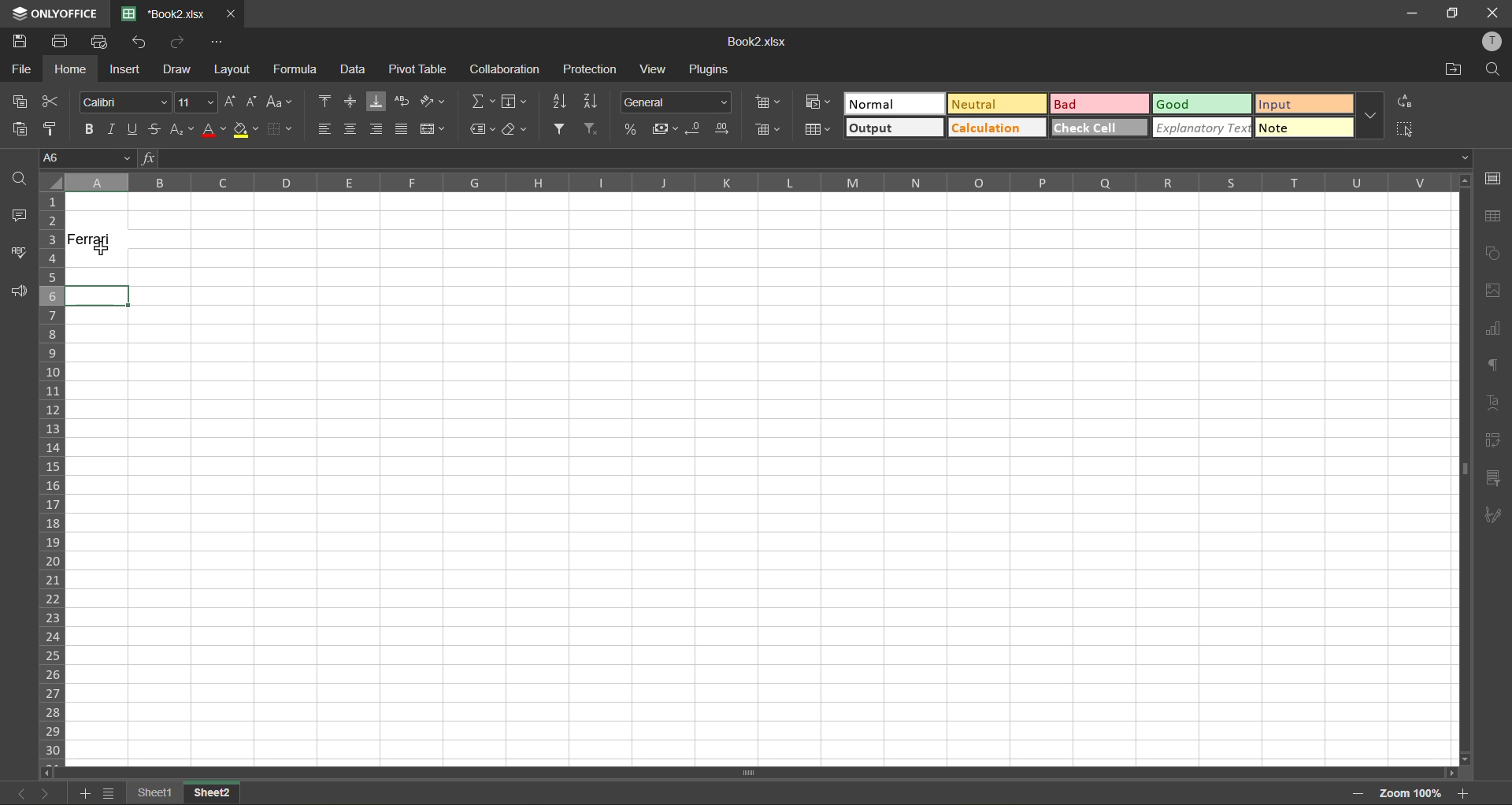 The image size is (1512, 805). I want to click on zoom factor, so click(1412, 794).